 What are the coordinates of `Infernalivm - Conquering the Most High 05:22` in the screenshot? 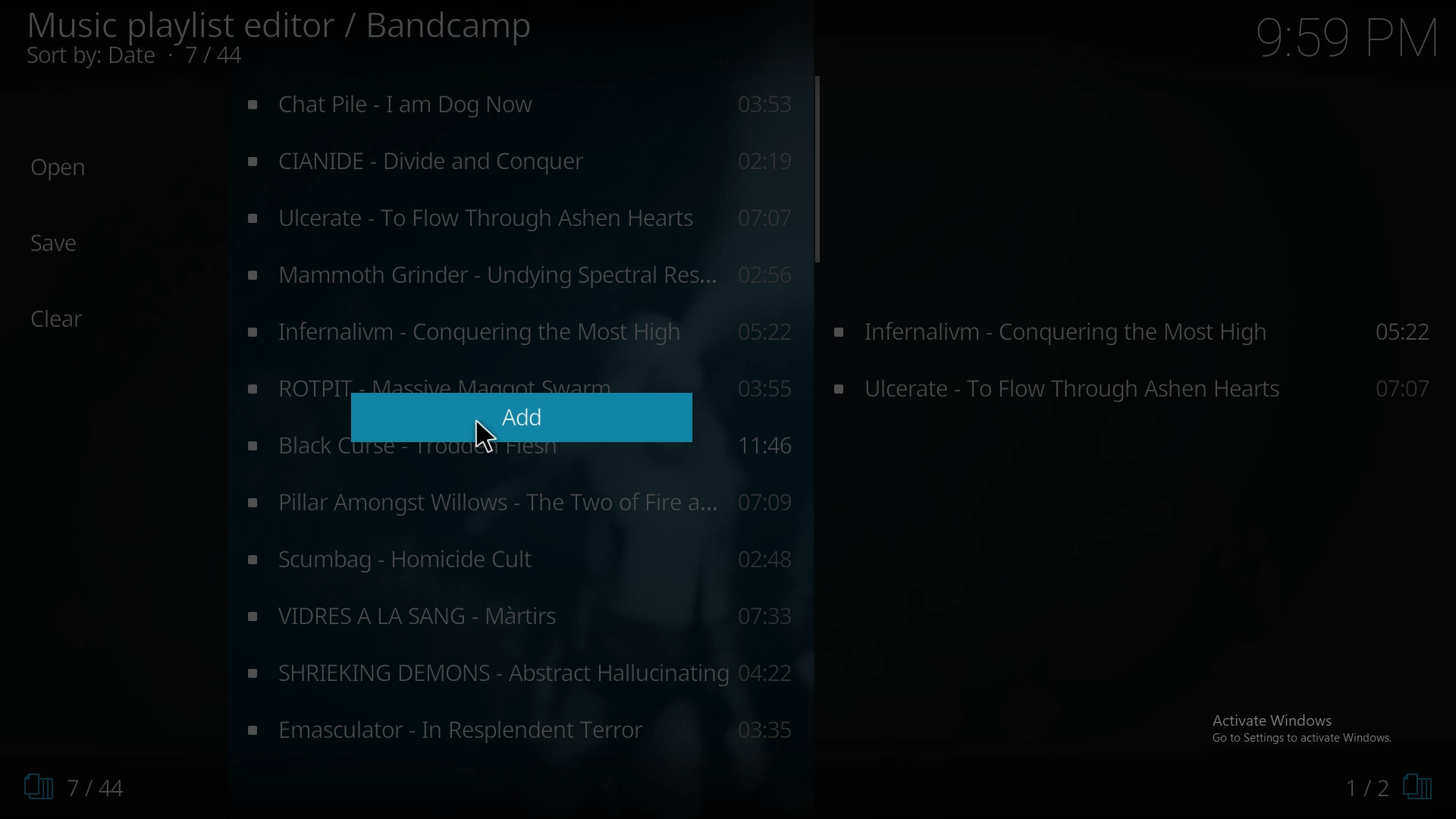 It's located at (1137, 334).